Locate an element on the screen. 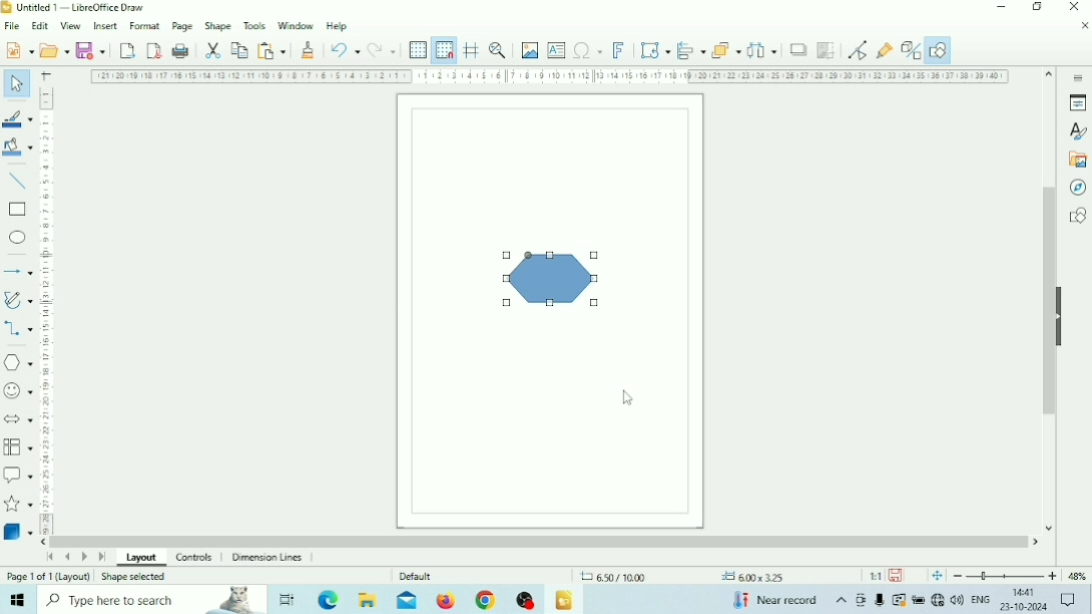 This screenshot has height=614, width=1092. Shapes is located at coordinates (1077, 215).